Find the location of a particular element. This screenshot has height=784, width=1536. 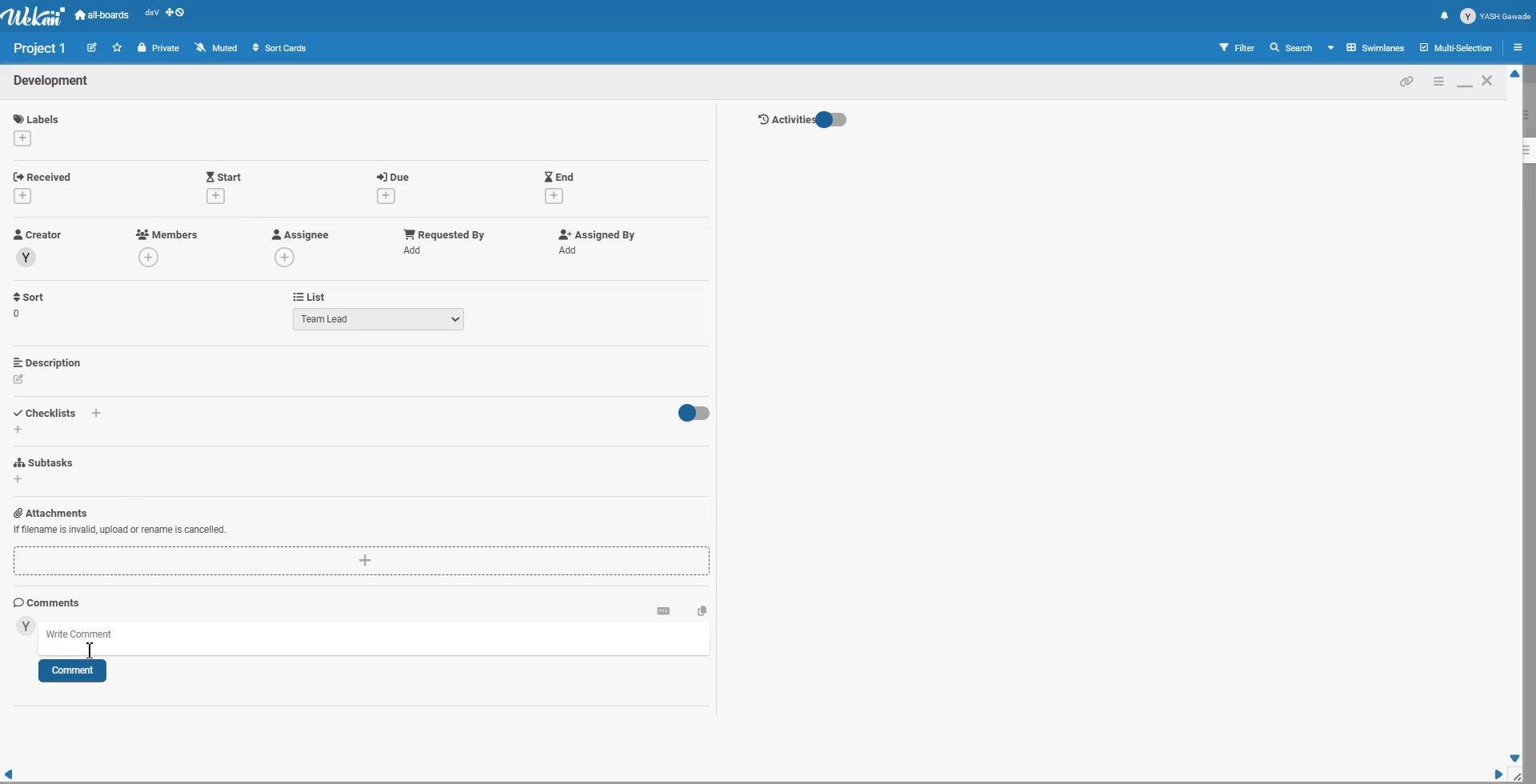

Add Attachments is located at coordinates (362, 562).